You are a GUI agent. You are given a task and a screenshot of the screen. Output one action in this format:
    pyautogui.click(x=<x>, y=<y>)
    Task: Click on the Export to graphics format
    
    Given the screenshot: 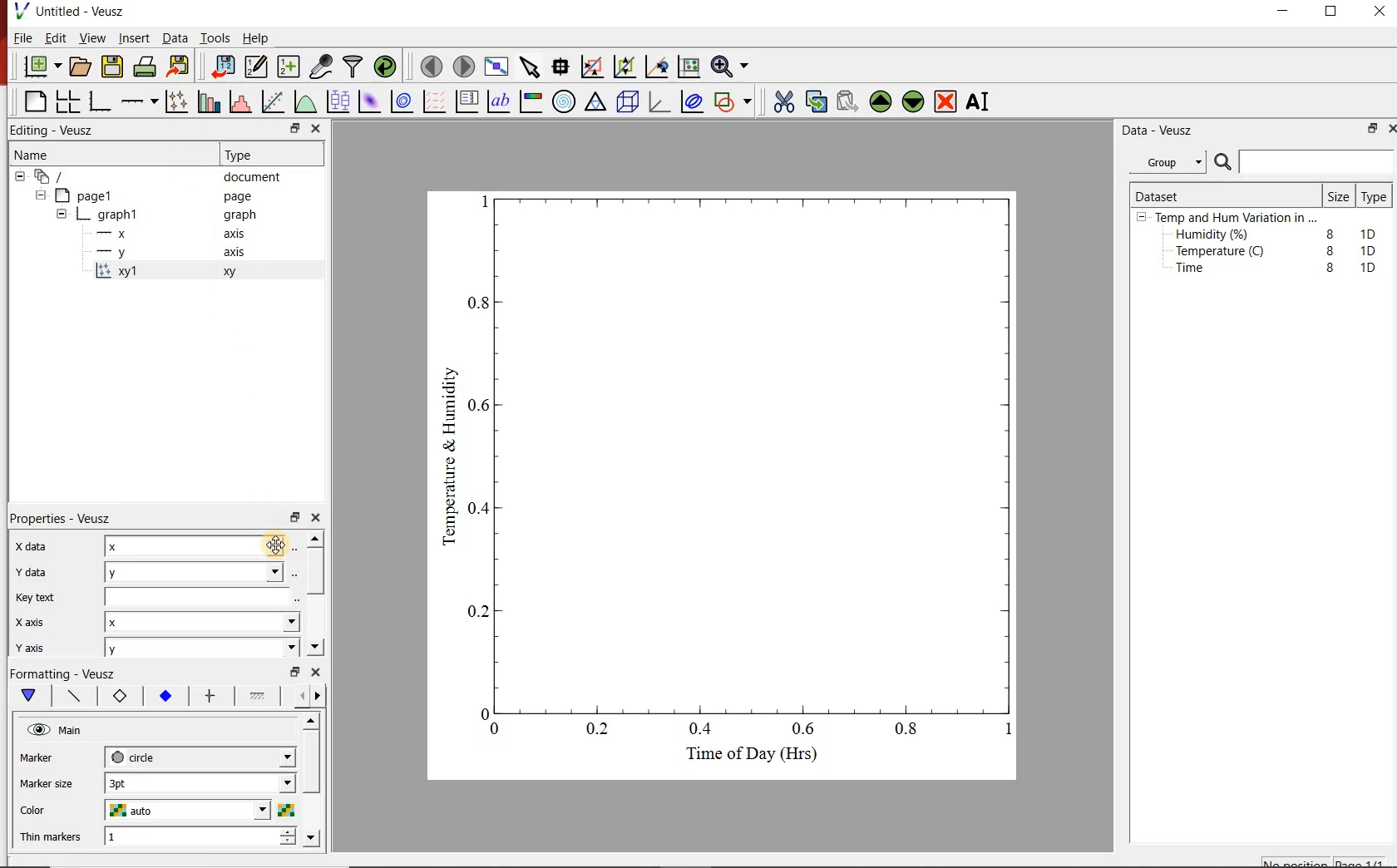 What is the action you would take?
    pyautogui.click(x=180, y=66)
    